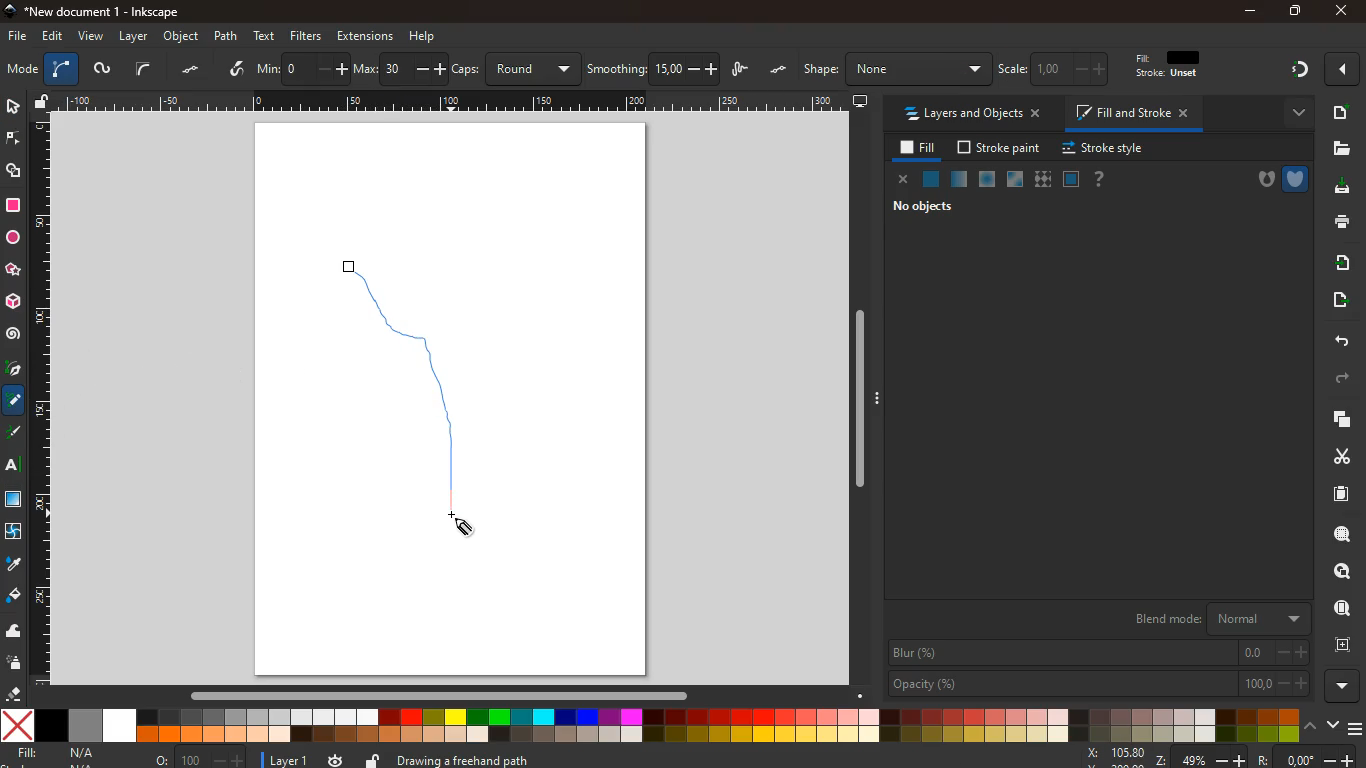 The height and width of the screenshot is (768, 1366). What do you see at coordinates (13, 370) in the screenshot?
I see `pick` at bounding box center [13, 370].